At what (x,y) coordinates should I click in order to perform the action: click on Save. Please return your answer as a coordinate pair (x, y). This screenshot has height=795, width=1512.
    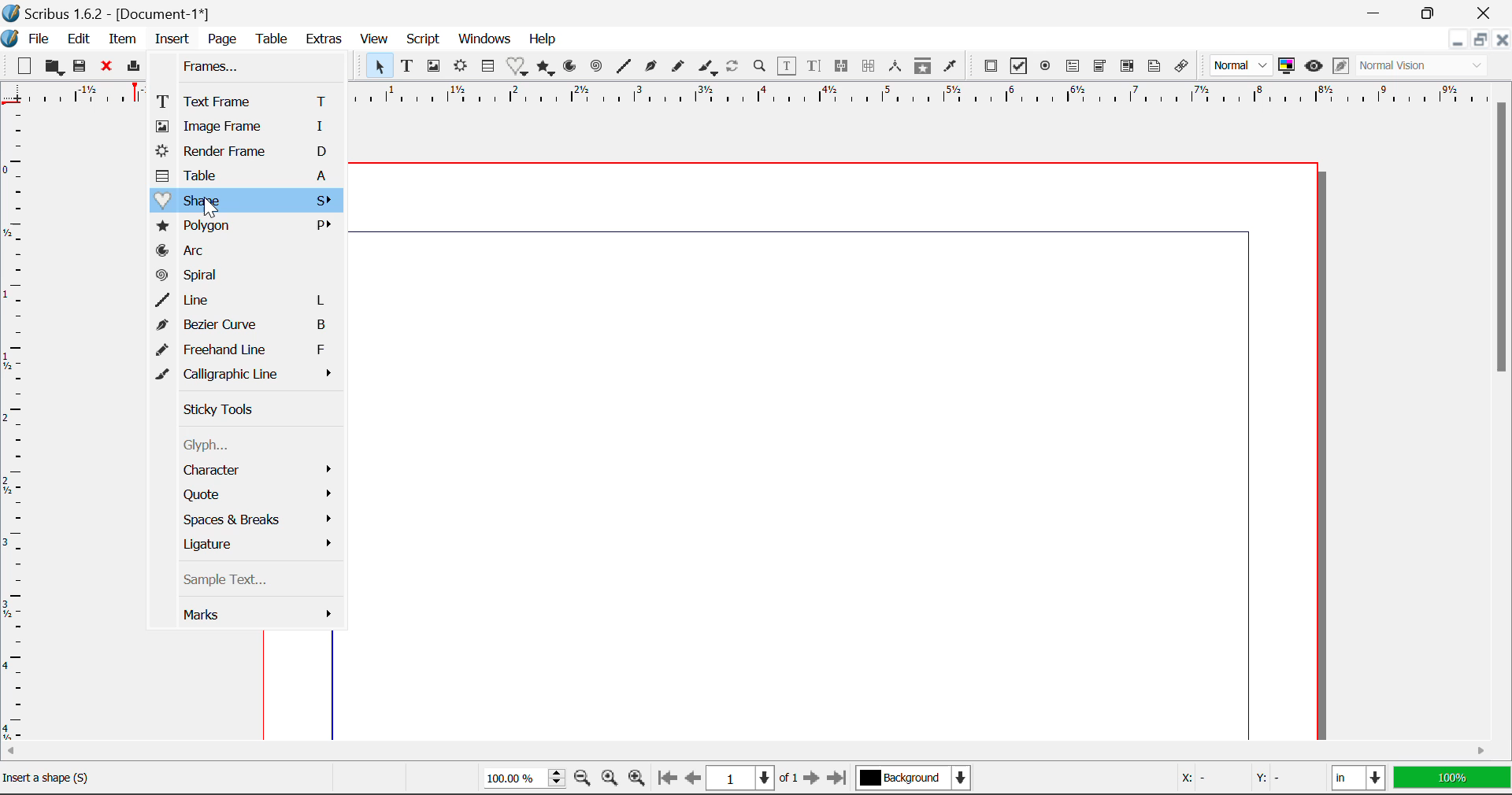
    Looking at the image, I should click on (84, 68).